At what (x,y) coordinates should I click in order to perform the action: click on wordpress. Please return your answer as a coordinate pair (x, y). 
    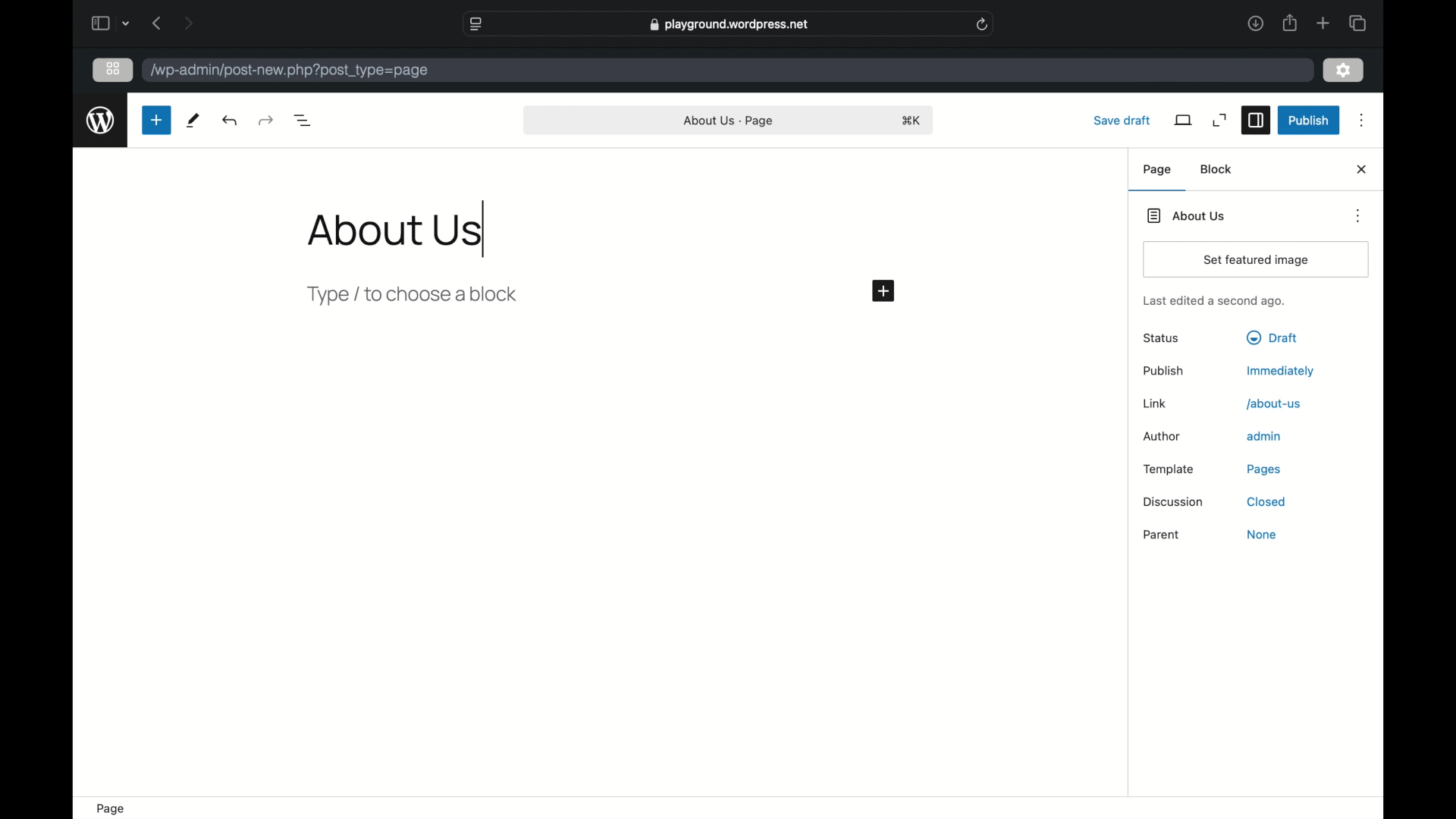
    Looking at the image, I should click on (102, 121).